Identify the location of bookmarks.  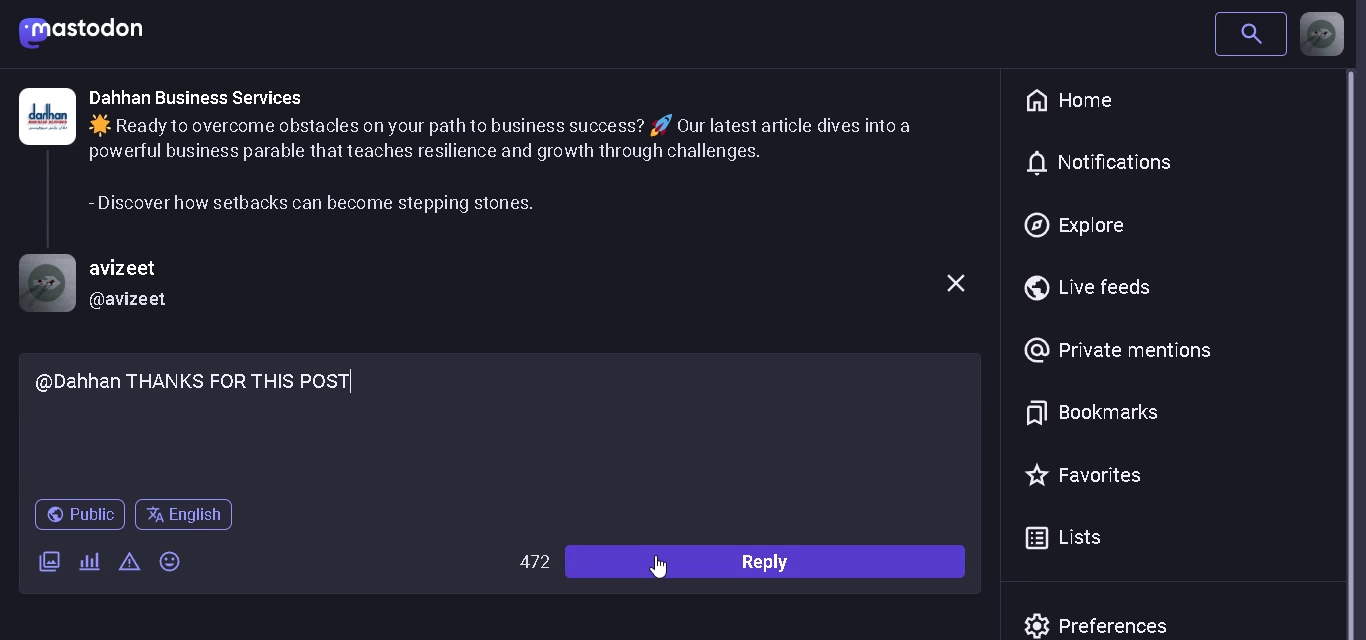
(1092, 411).